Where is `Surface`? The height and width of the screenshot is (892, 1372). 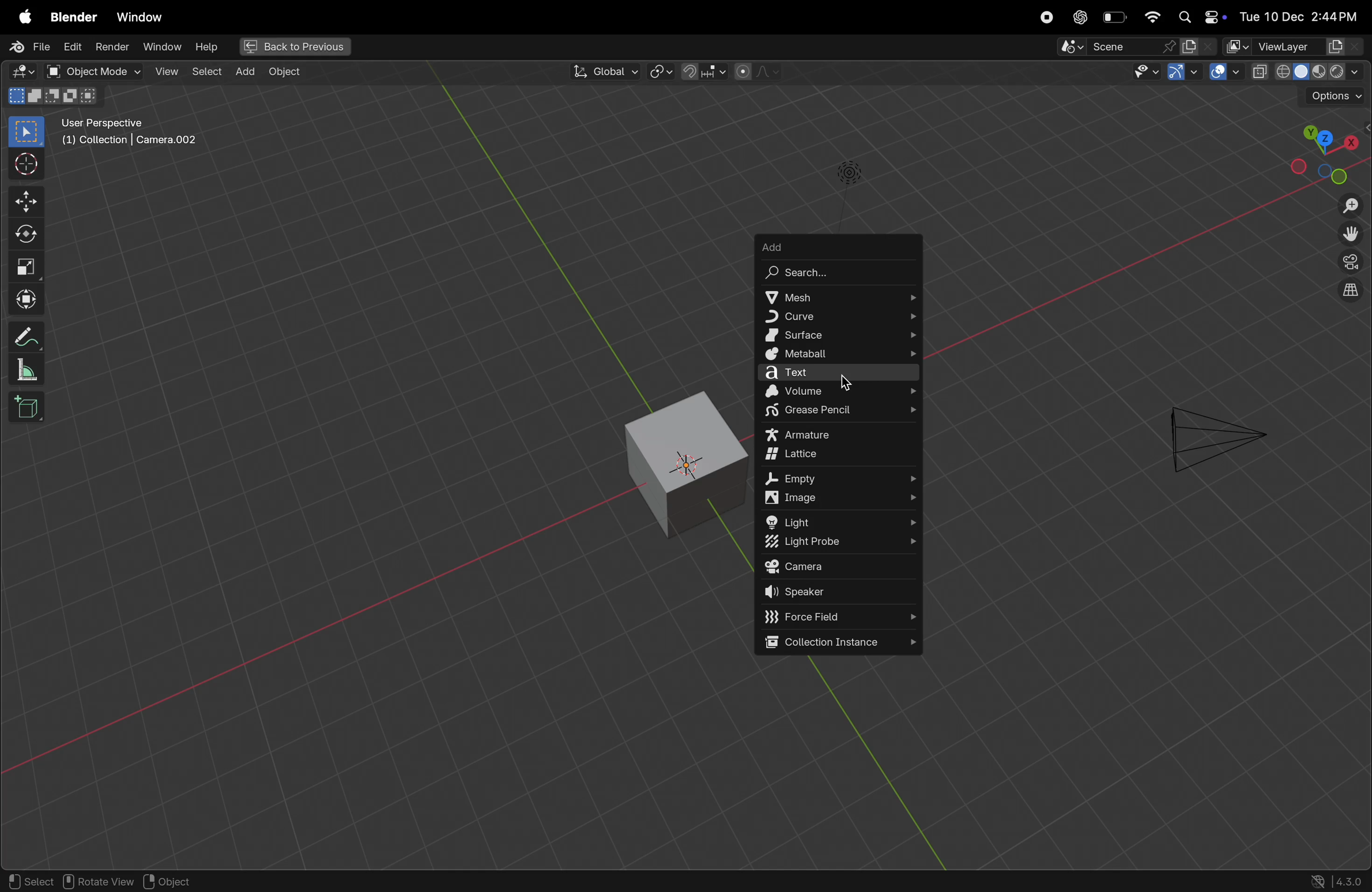
Surface is located at coordinates (839, 334).